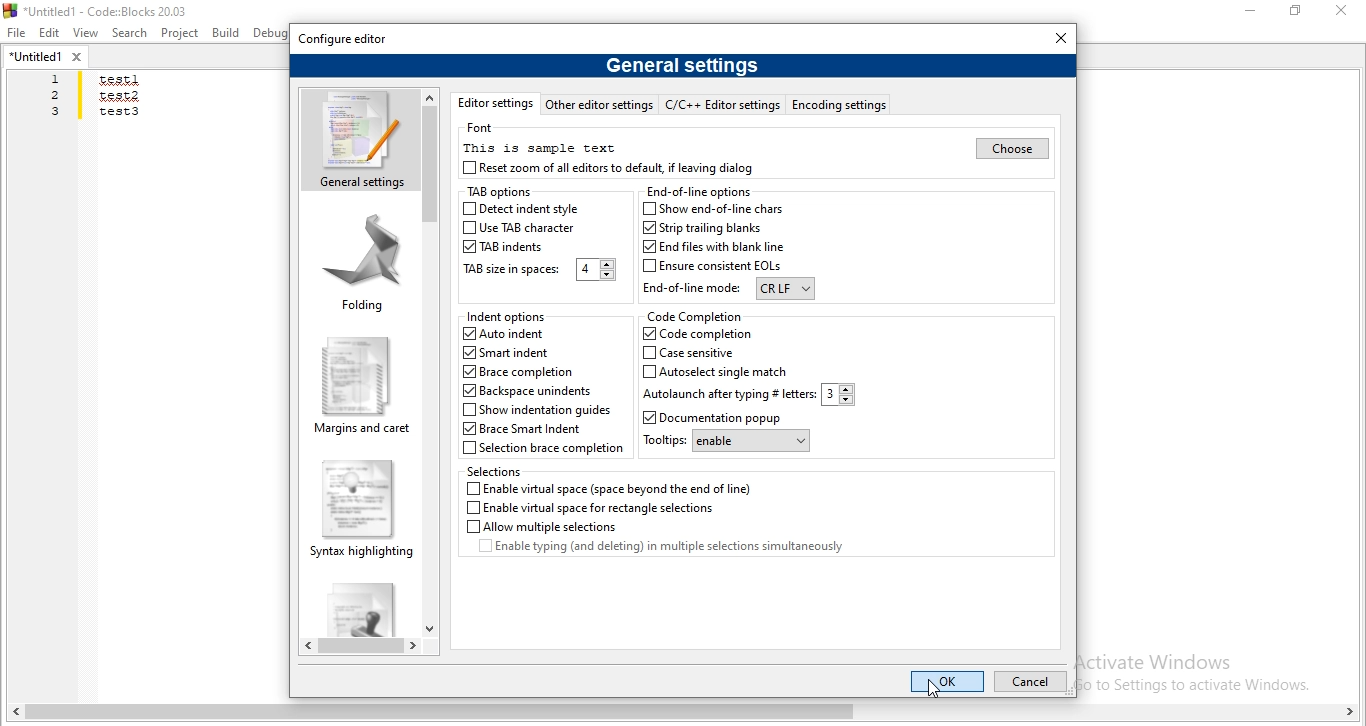 This screenshot has height=726, width=1366. Describe the element at coordinates (717, 209) in the screenshot. I see `Show end-of-line chars ` at that location.